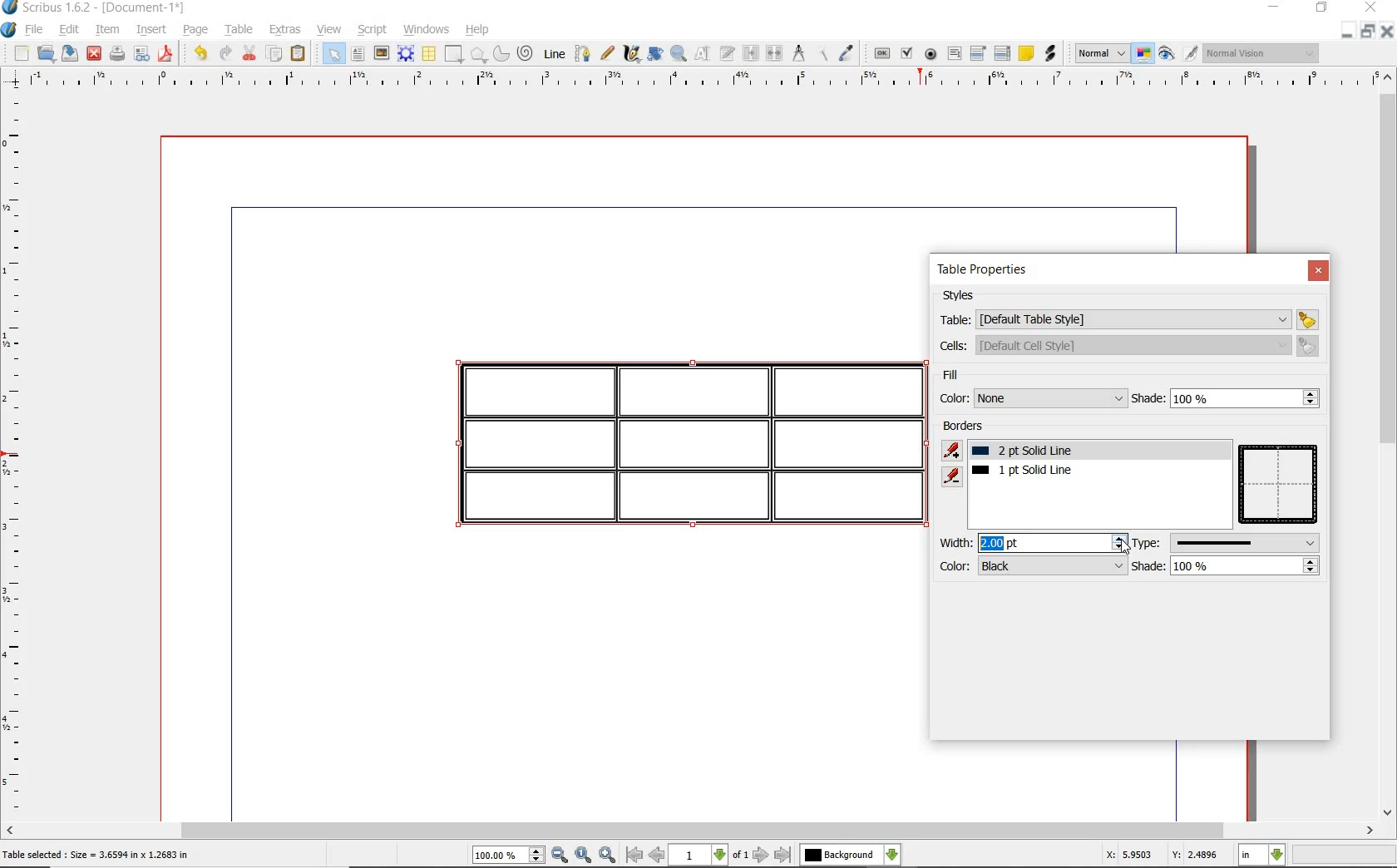  Describe the element at coordinates (908, 55) in the screenshot. I see `pdf check box` at that location.